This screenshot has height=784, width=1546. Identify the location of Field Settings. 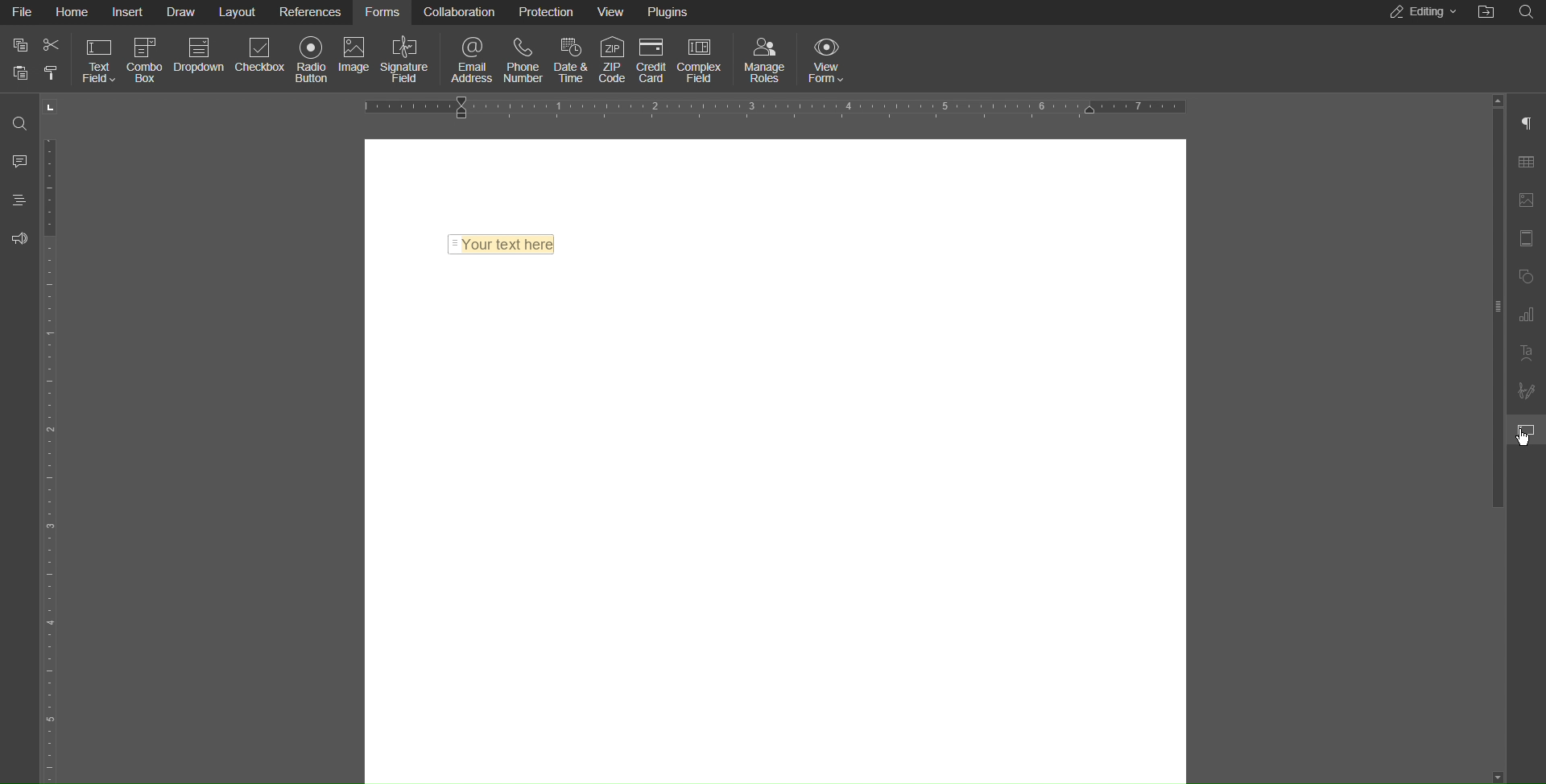
(1530, 431).